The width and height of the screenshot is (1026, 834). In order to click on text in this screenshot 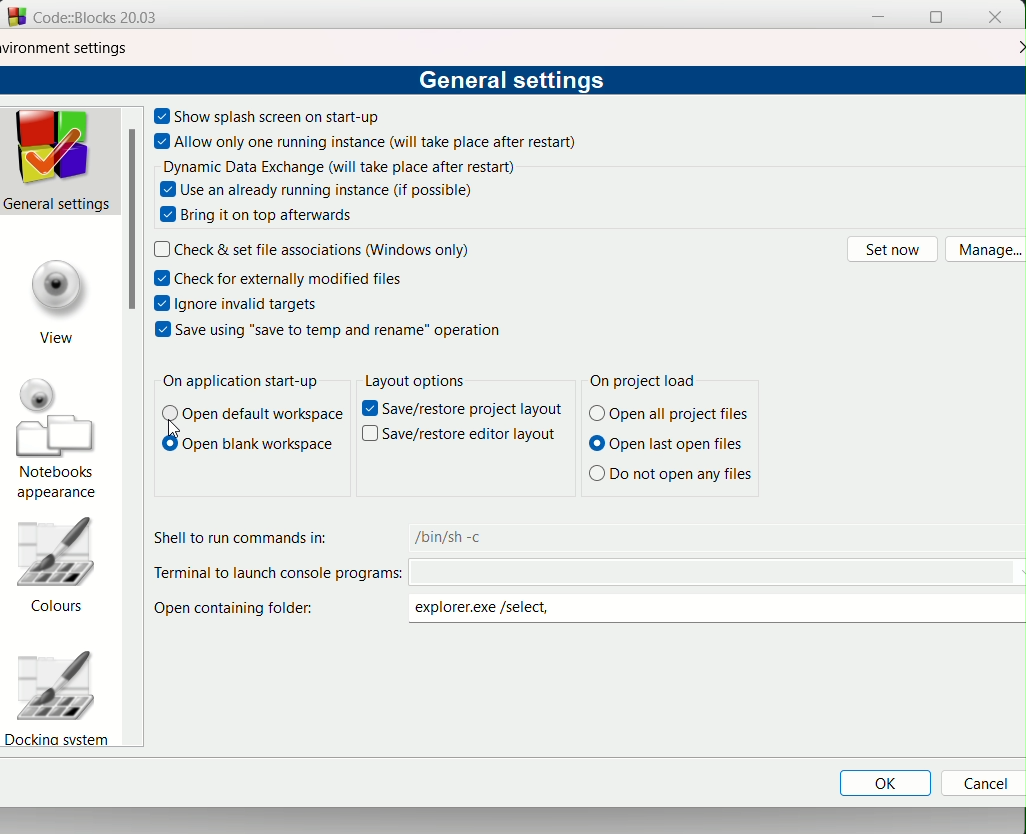, I will do `click(273, 217)`.